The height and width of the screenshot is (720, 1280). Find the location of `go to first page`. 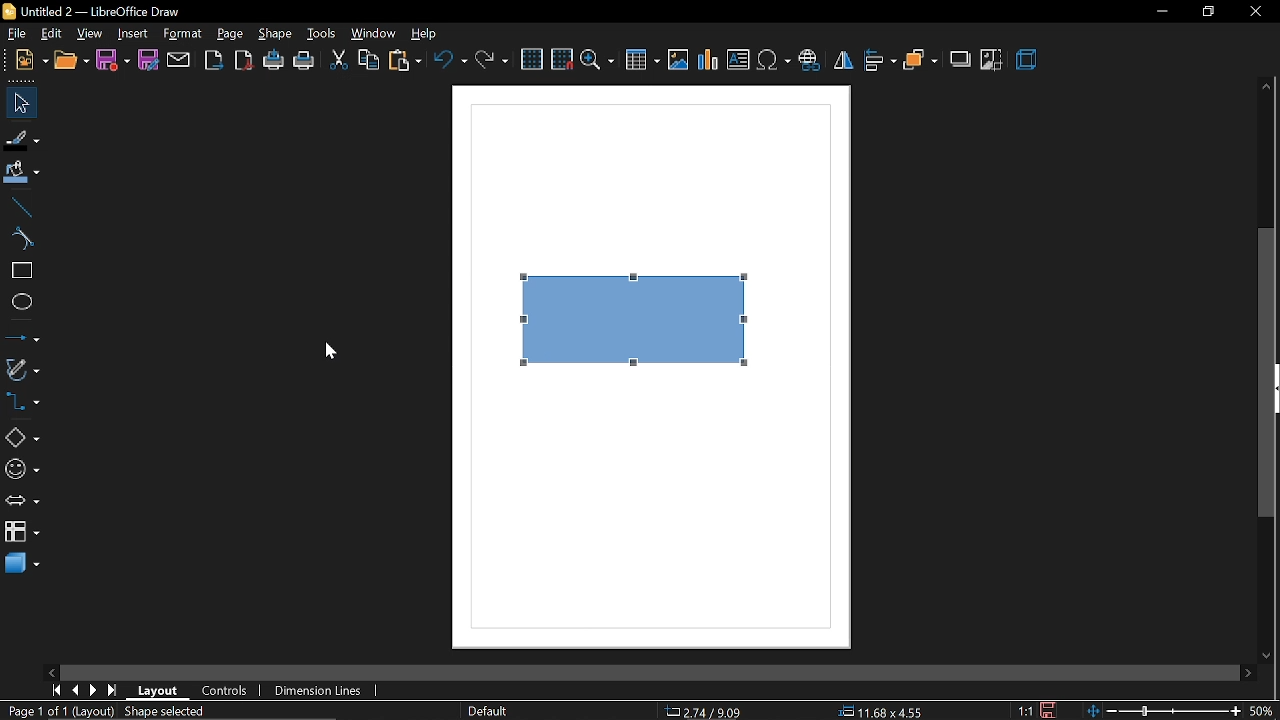

go to first page is located at coordinates (55, 691).